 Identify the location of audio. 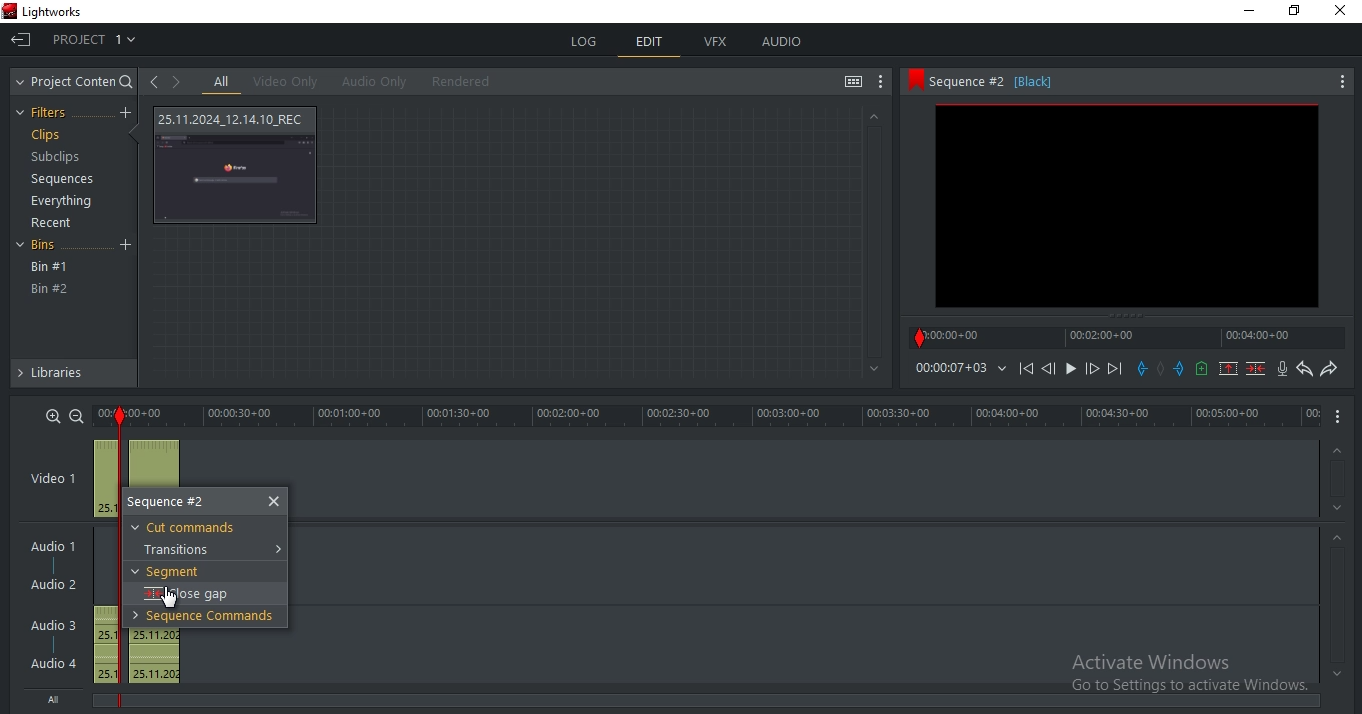
(141, 655).